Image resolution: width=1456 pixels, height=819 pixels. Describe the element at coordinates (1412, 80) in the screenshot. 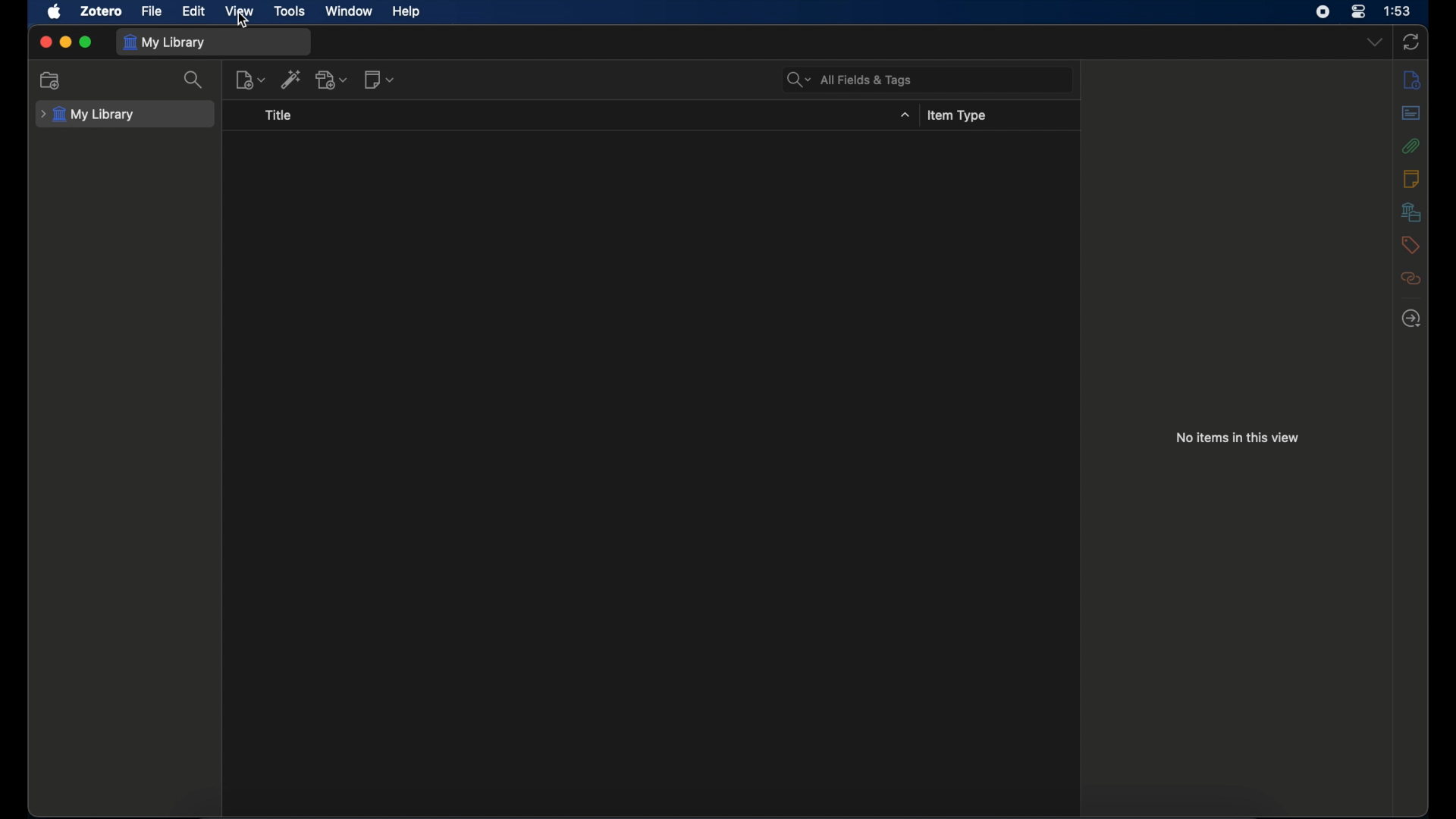

I see `info` at that location.